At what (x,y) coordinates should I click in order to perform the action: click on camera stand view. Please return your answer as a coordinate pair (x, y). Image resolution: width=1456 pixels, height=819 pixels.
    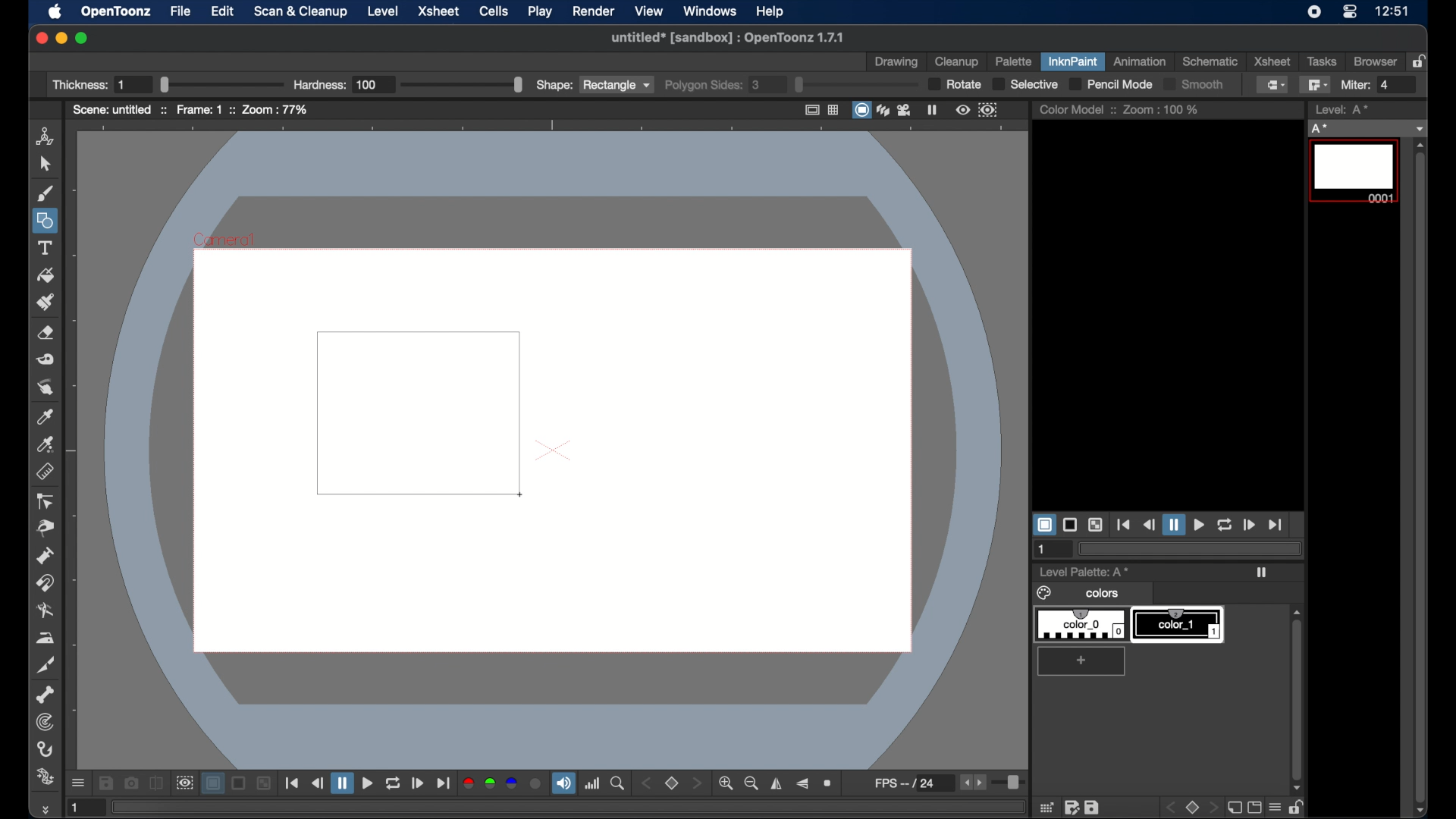
    Looking at the image, I should click on (861, 109).